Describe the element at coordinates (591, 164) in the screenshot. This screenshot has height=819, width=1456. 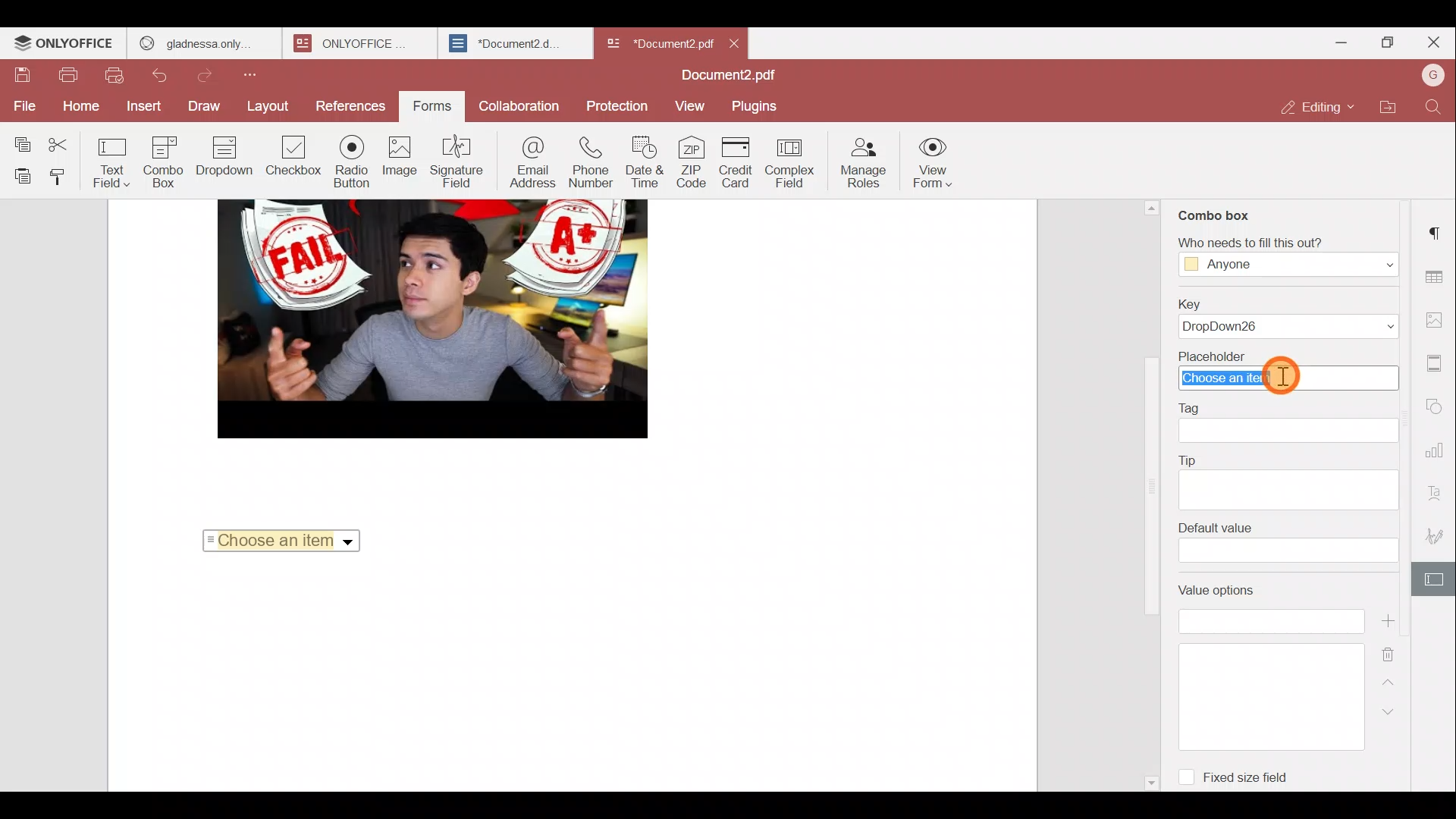
I see `Phone number` at that location.